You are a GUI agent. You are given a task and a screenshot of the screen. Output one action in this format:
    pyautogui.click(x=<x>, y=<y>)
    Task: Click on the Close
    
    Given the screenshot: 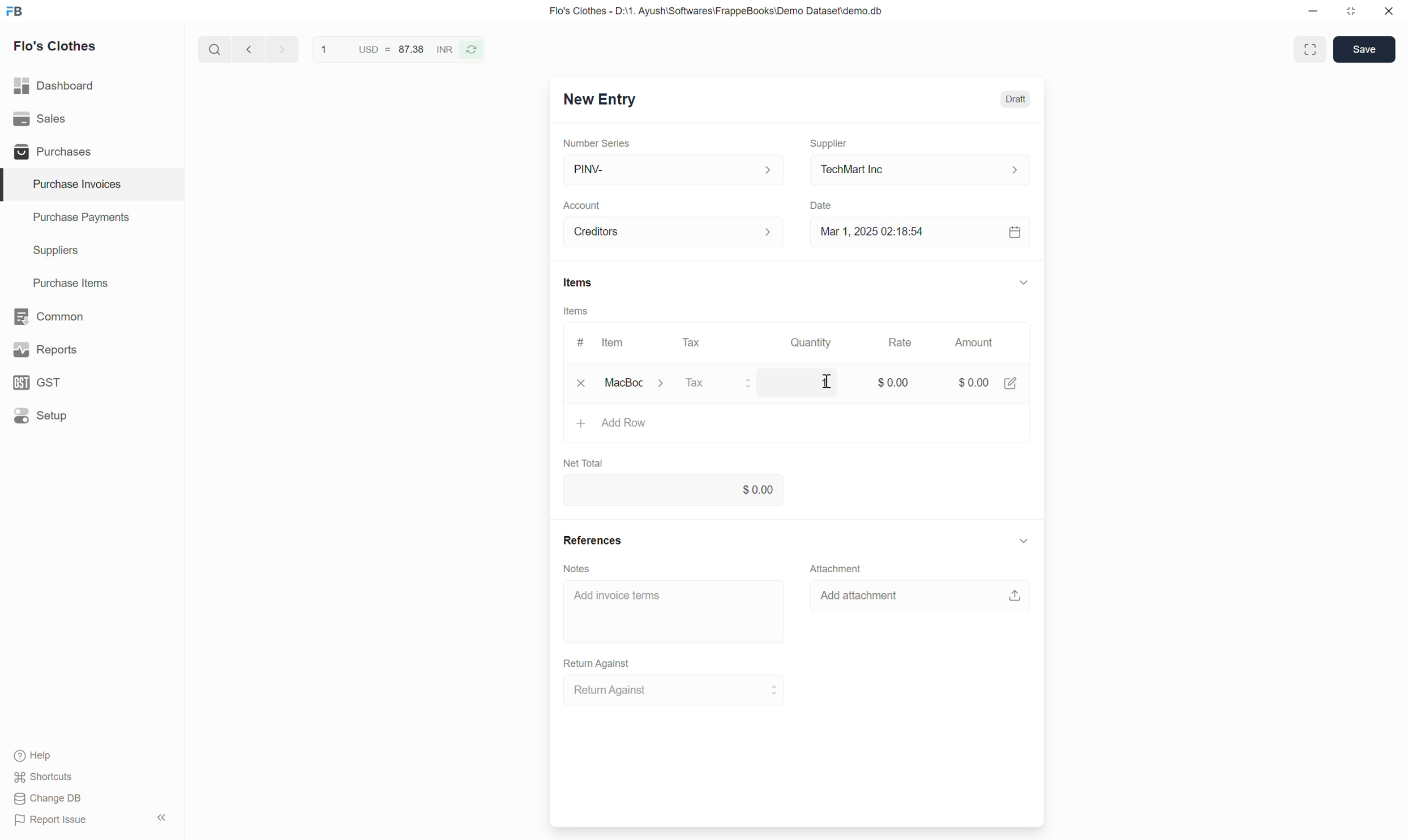 What is the action you would take?
    pyautogui.click(x=1389, y=11)
    